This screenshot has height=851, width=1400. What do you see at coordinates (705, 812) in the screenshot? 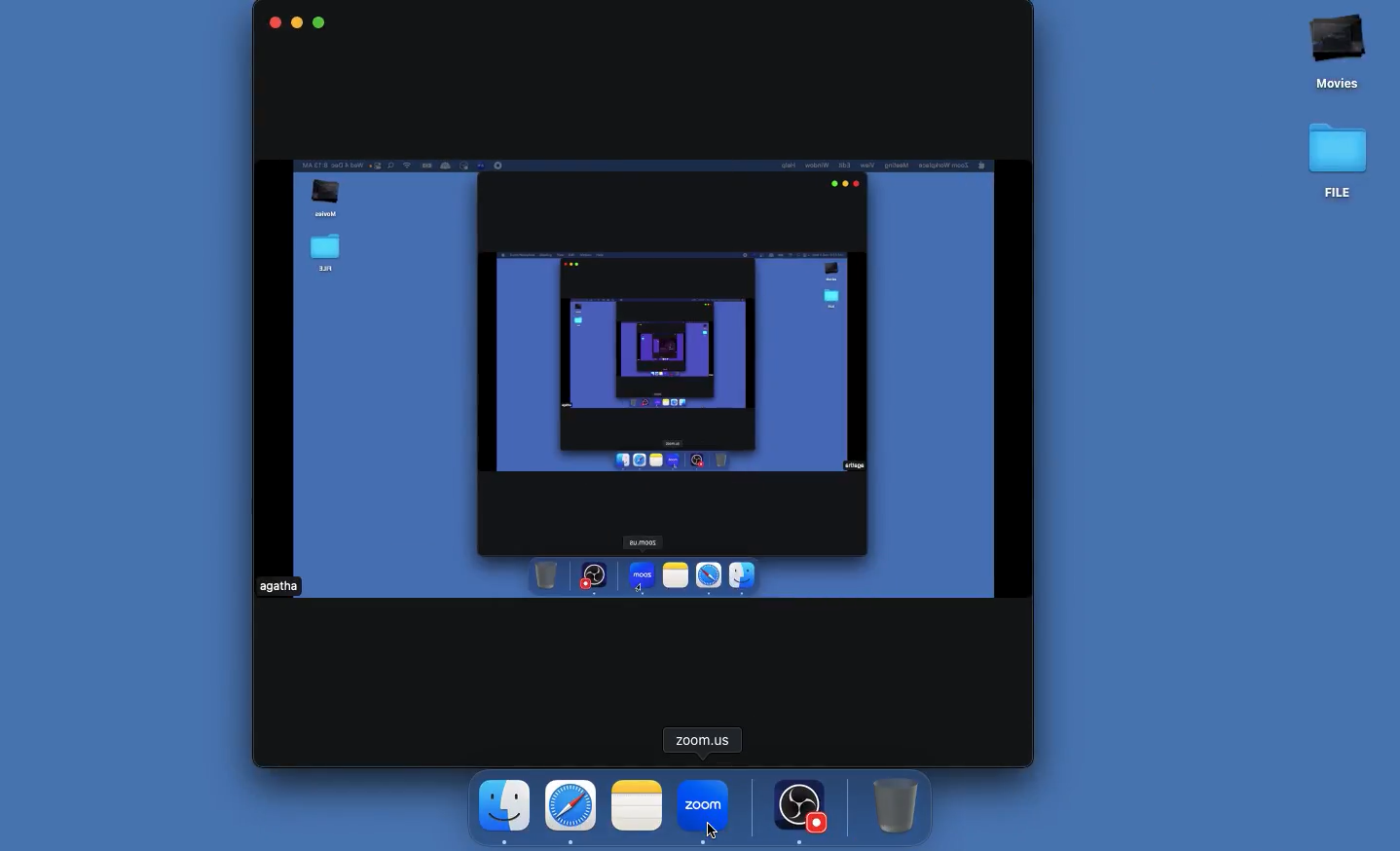
I see `Click` at bounding box center [705, 812].